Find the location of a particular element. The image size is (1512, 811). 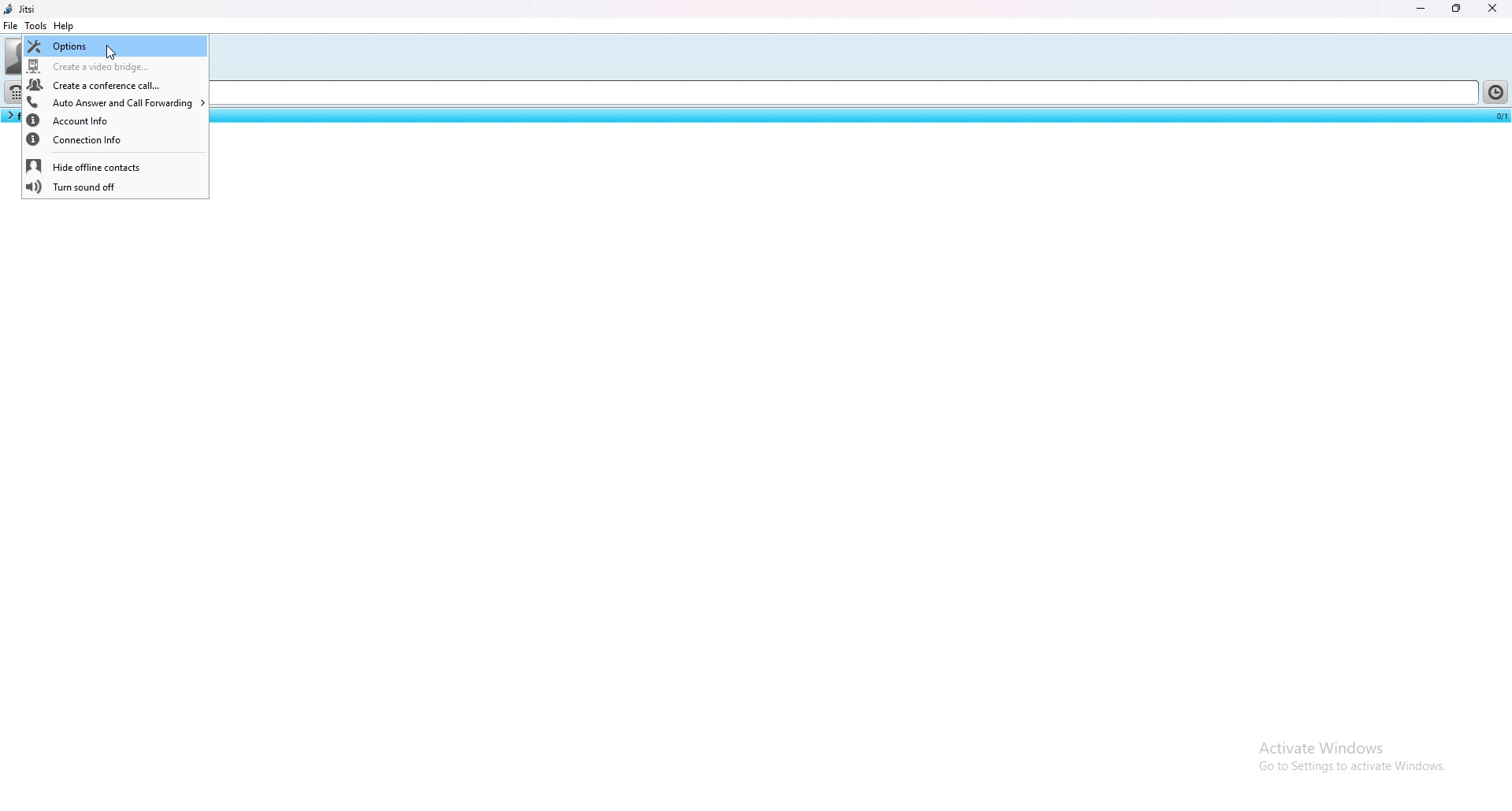

help is located at coordinates (65, 26).